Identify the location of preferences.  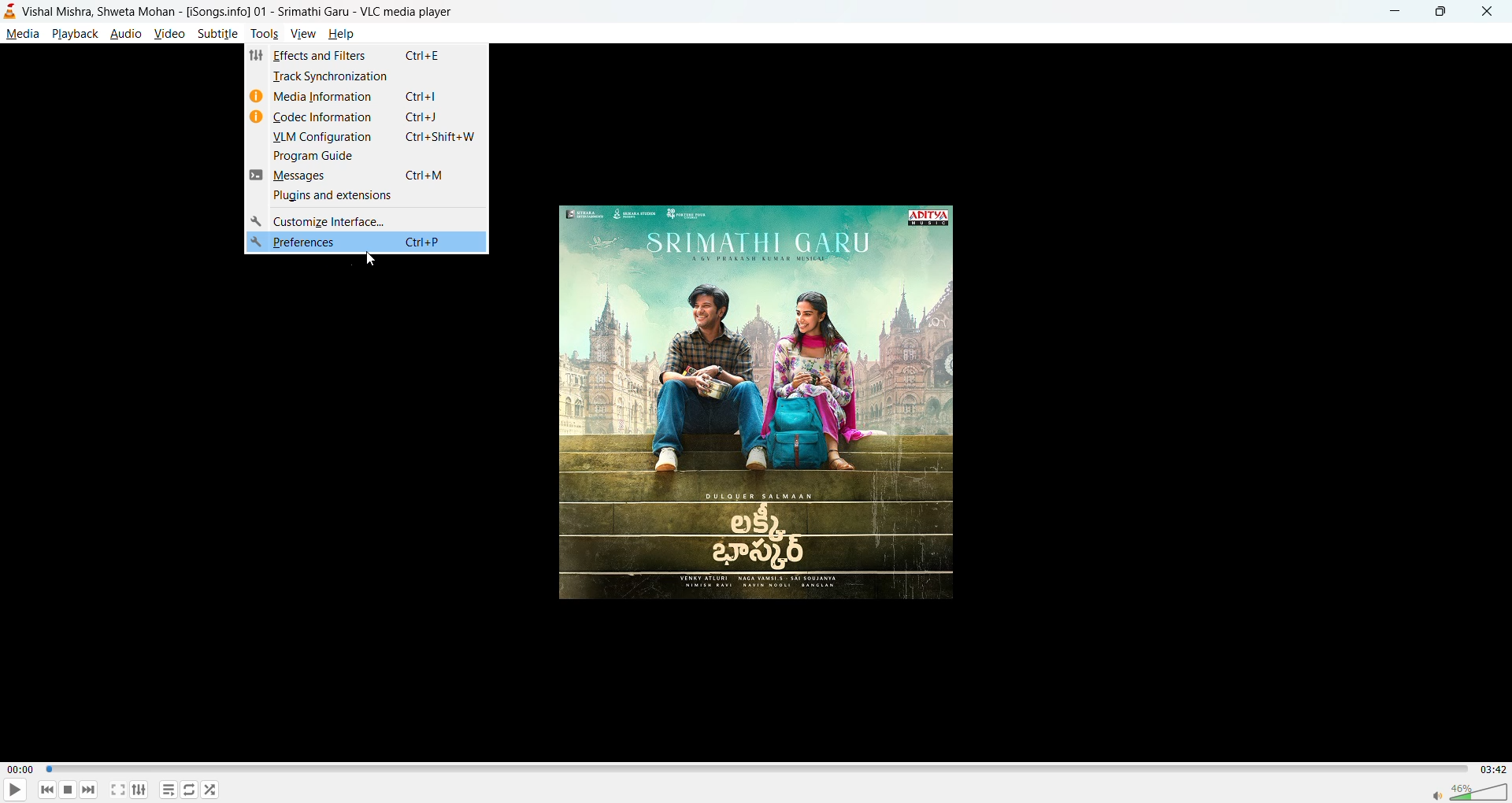
(363, 242).